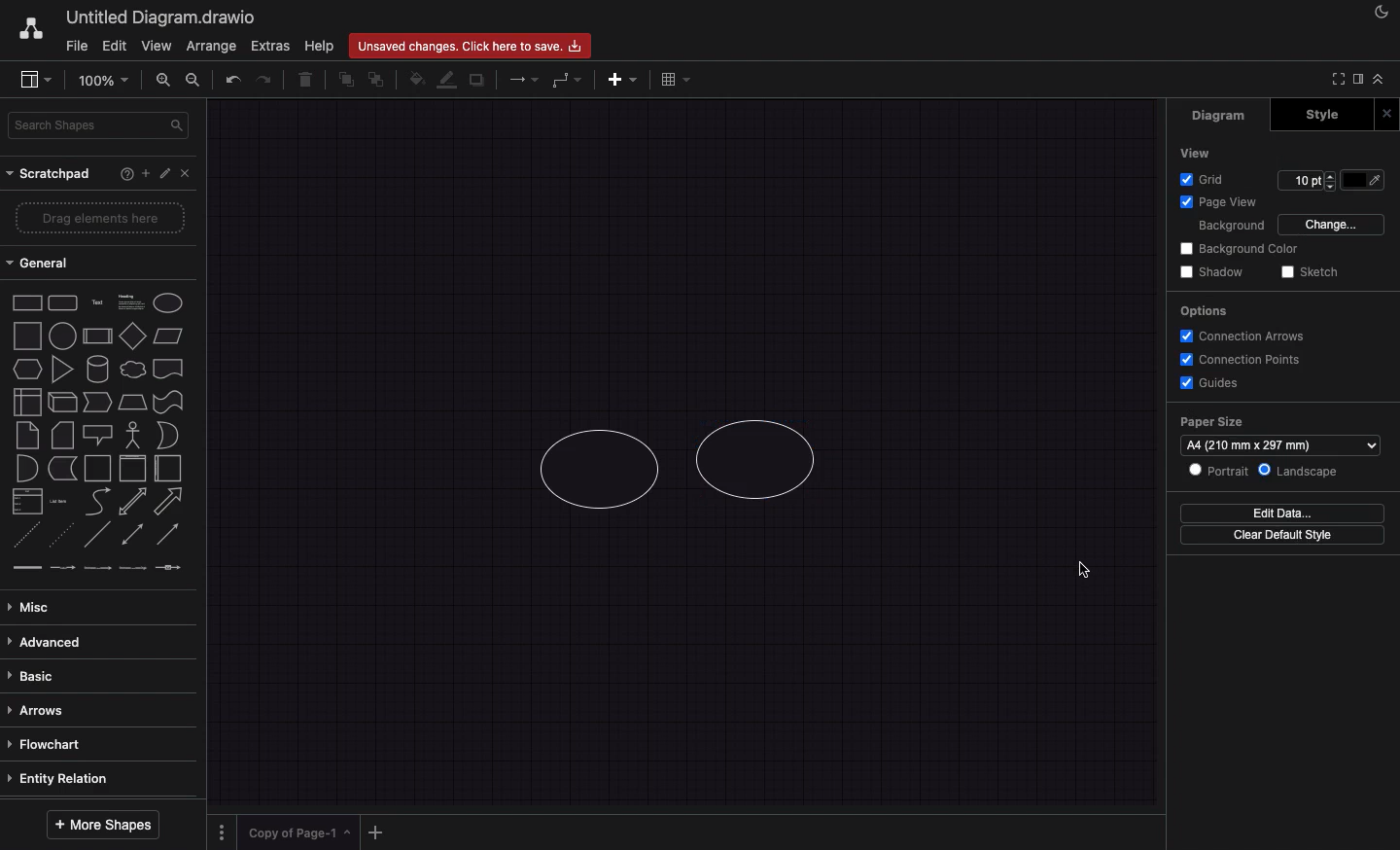 This screenshot has height=850, width=1400. What do you see at coordinates (51, 175) in the screenshot?
I see `scratchpad` at bounding box center [51, 175].